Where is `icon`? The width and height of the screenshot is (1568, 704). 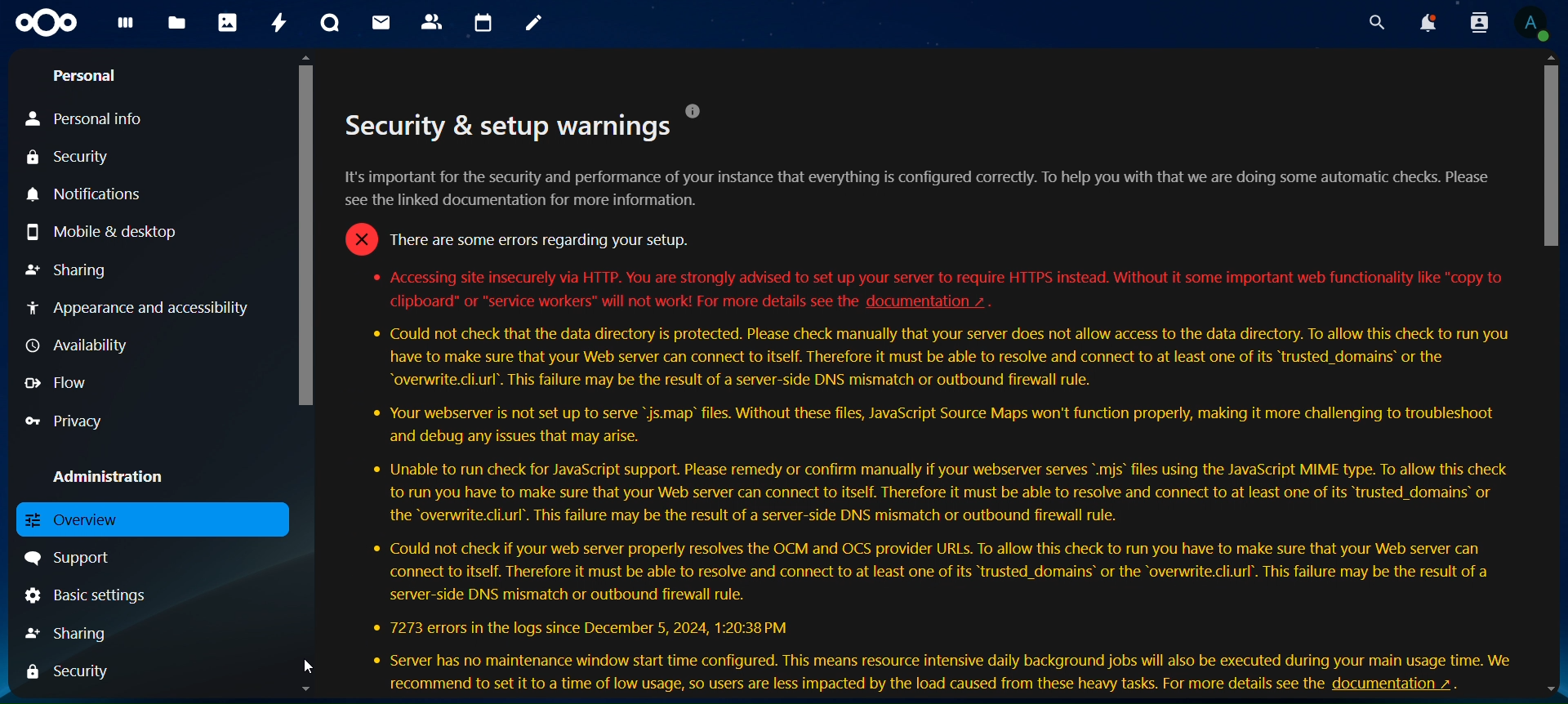 icon is located at coordinates (45, 23).